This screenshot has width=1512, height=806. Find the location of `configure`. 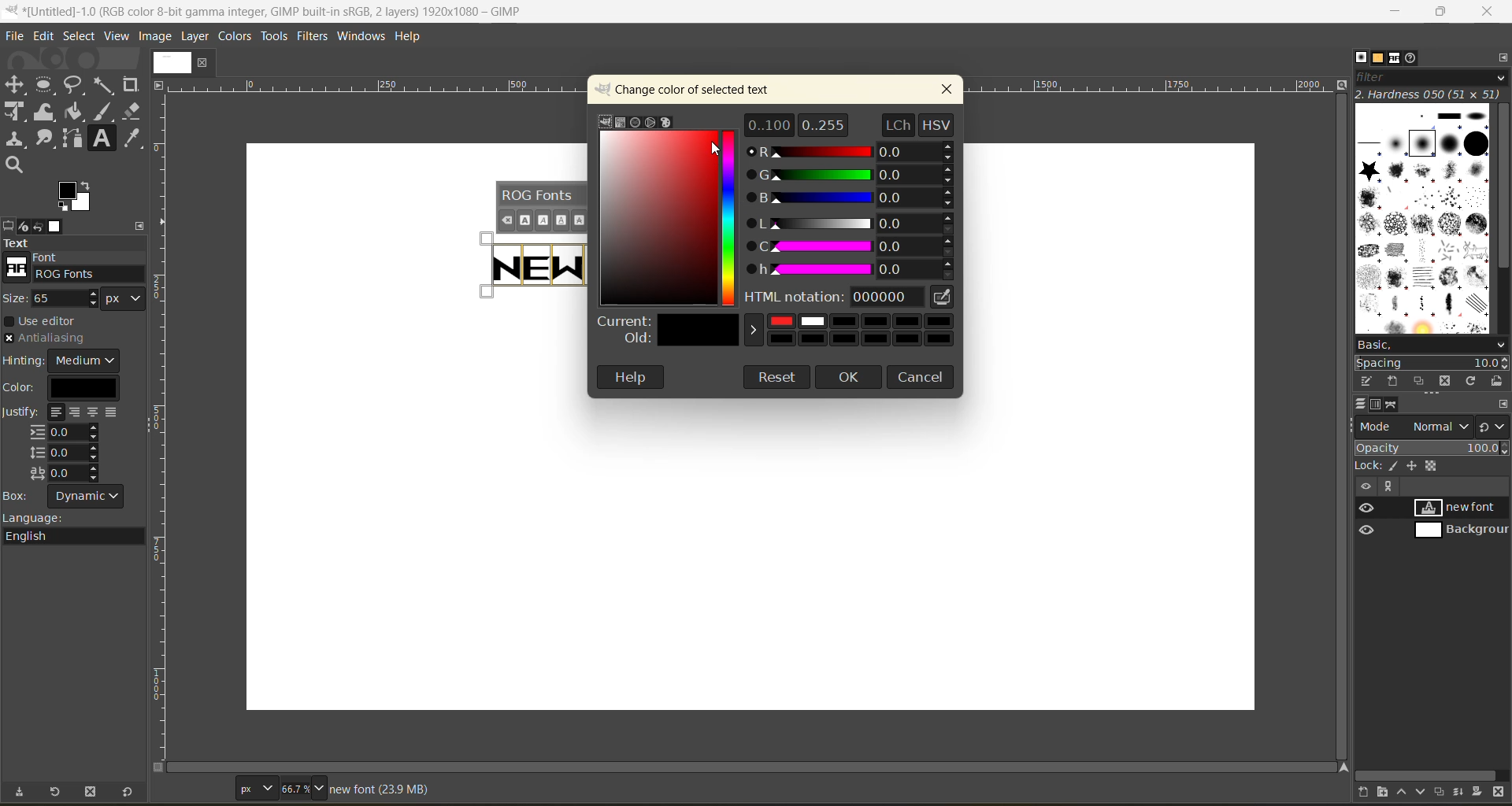

configure is located at coordinates (1503, 405).